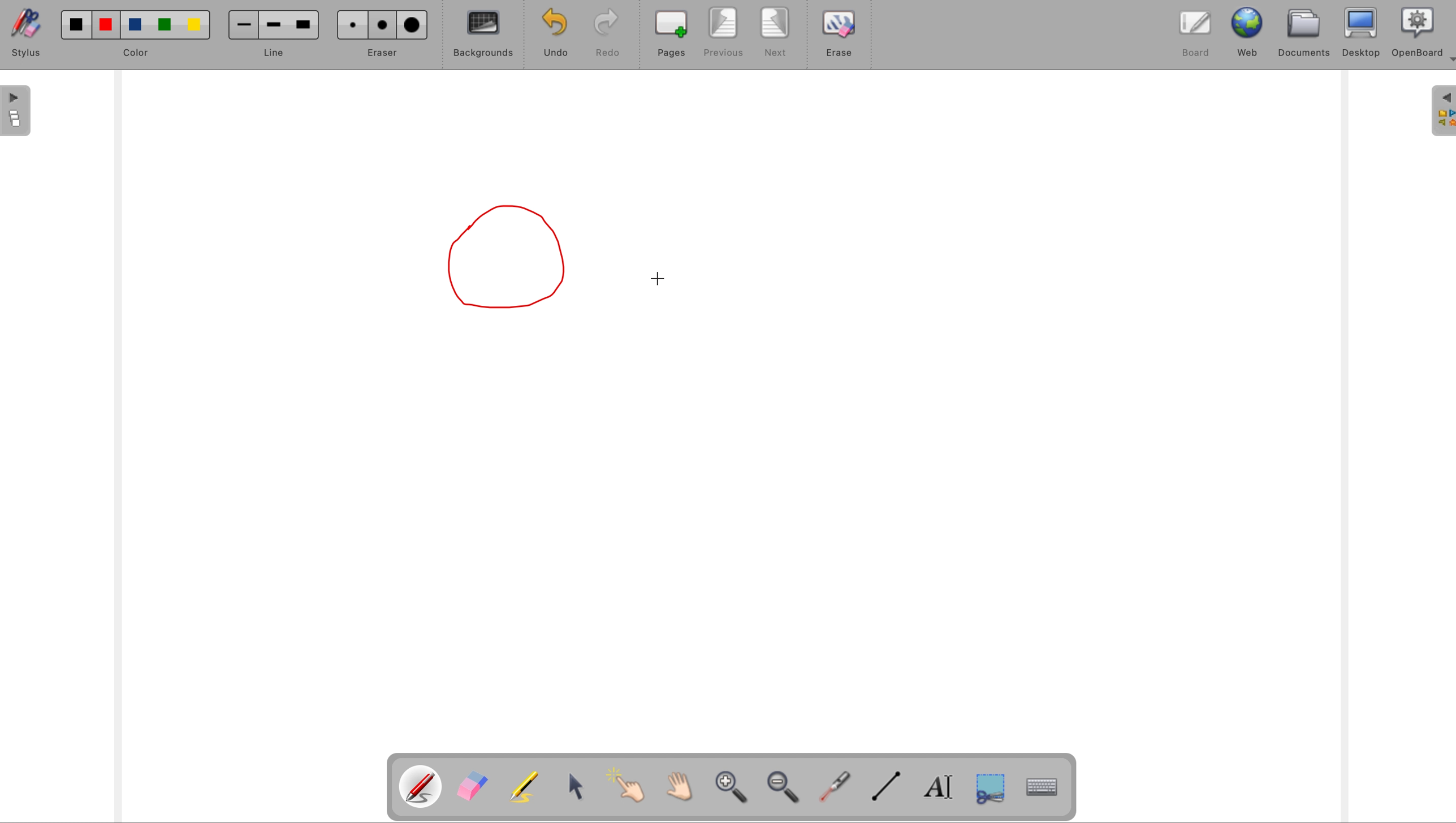 Image resolution: width=1456 pixels, height=823 pixels. Describe the element at coordinates (675, 787) in the screenshot. I see `scroll by hand` at that location.